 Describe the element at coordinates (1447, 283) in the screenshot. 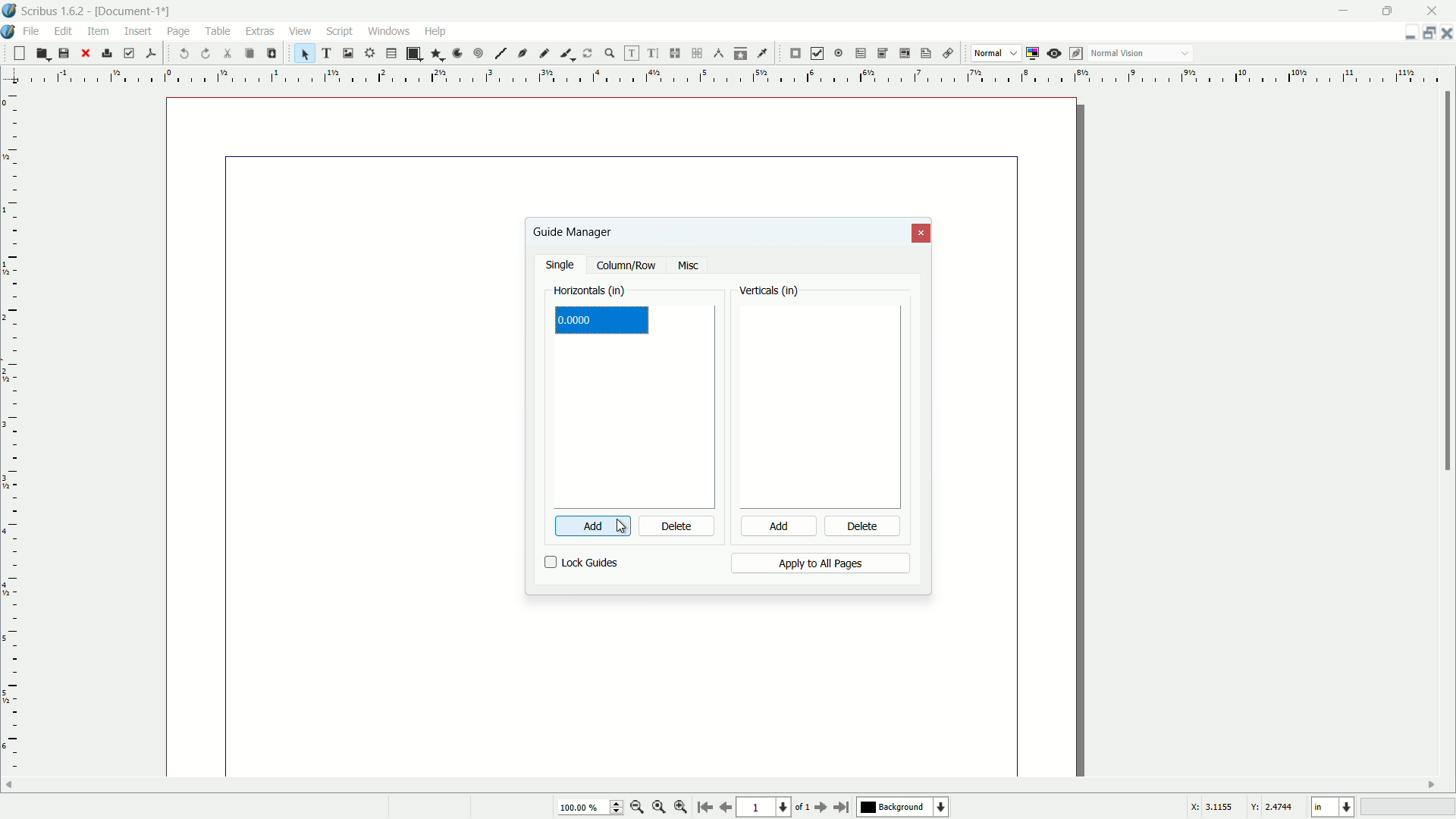

I see `scroll bar` at that location.